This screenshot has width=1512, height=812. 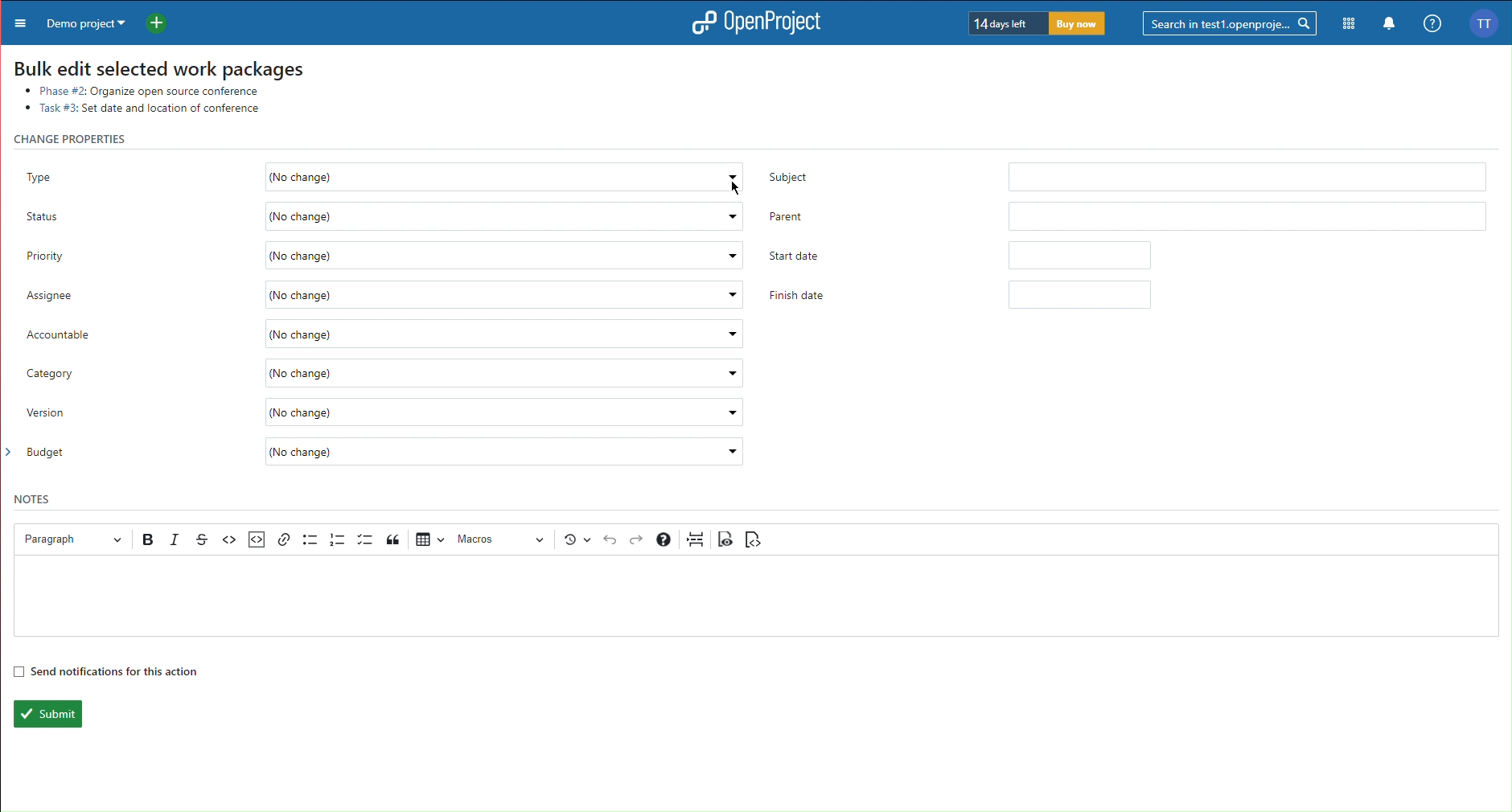 What do you see at coordinates (577, 539) in the screenshot?
I see `Versions` at bounding box center [577, 539].